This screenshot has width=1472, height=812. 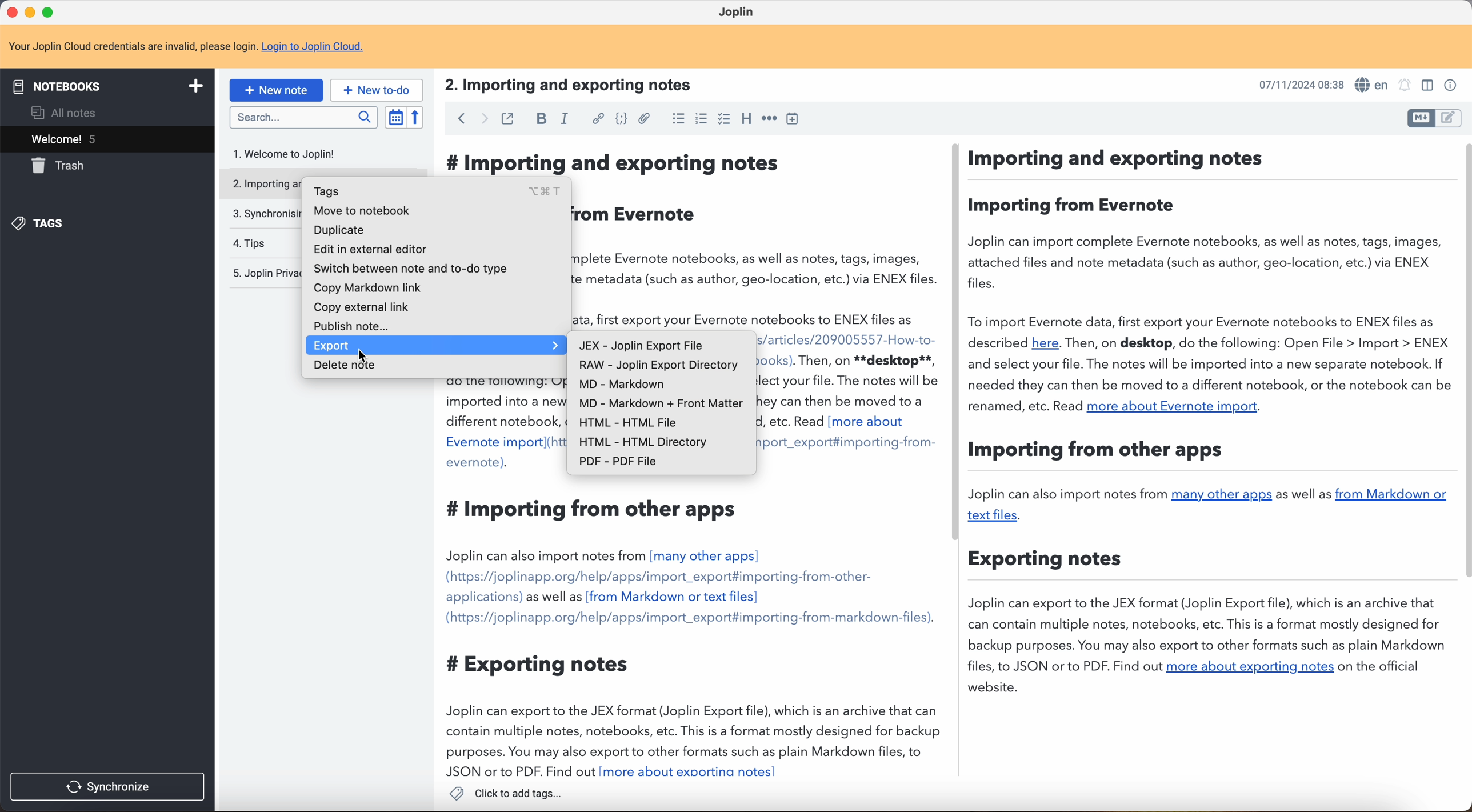 I want to click on toggle editor layout, so click(x=1449, y=118).